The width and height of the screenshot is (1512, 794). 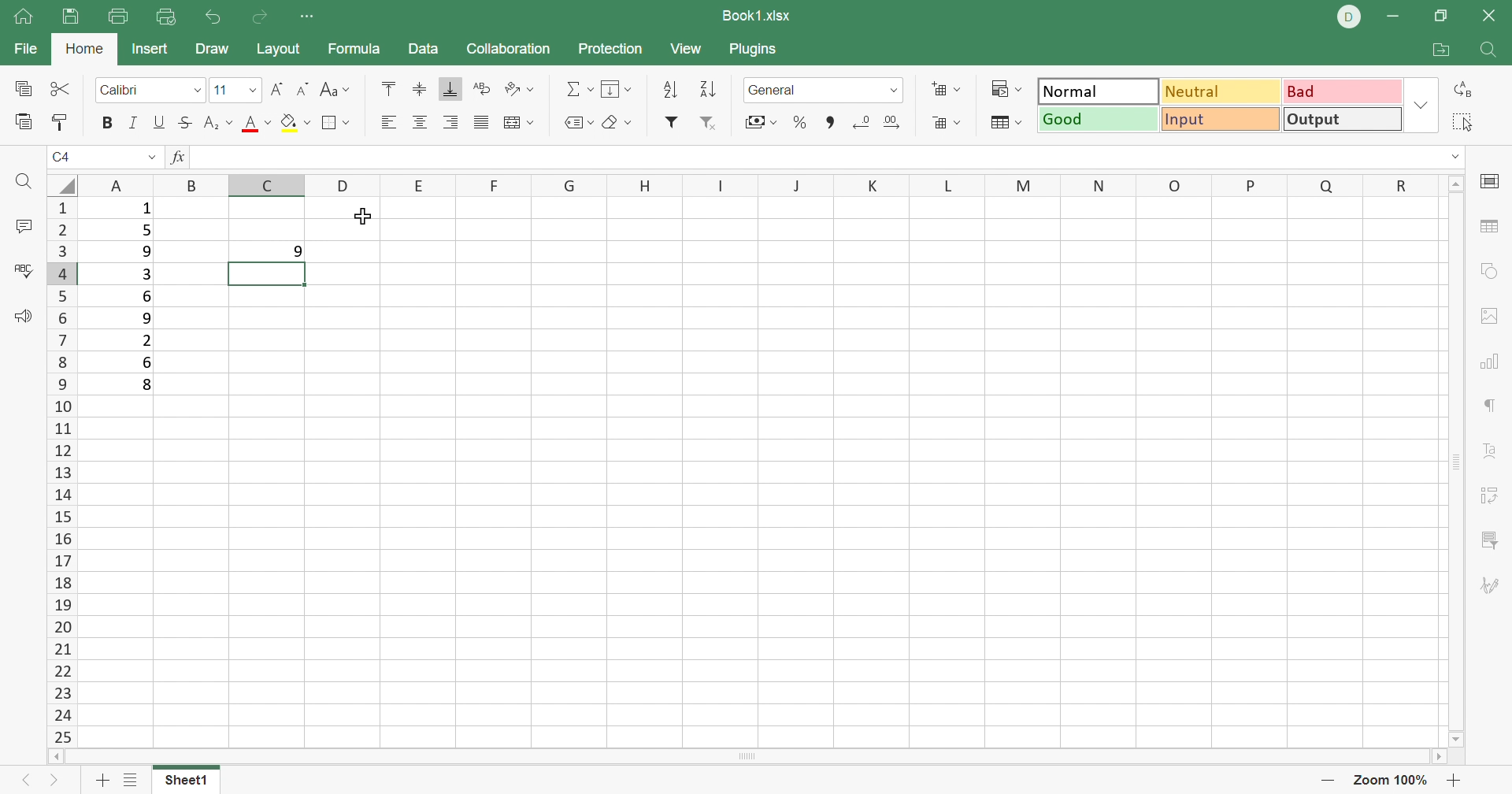 I want to click on Scroll Left, so click(x=60, y=755).